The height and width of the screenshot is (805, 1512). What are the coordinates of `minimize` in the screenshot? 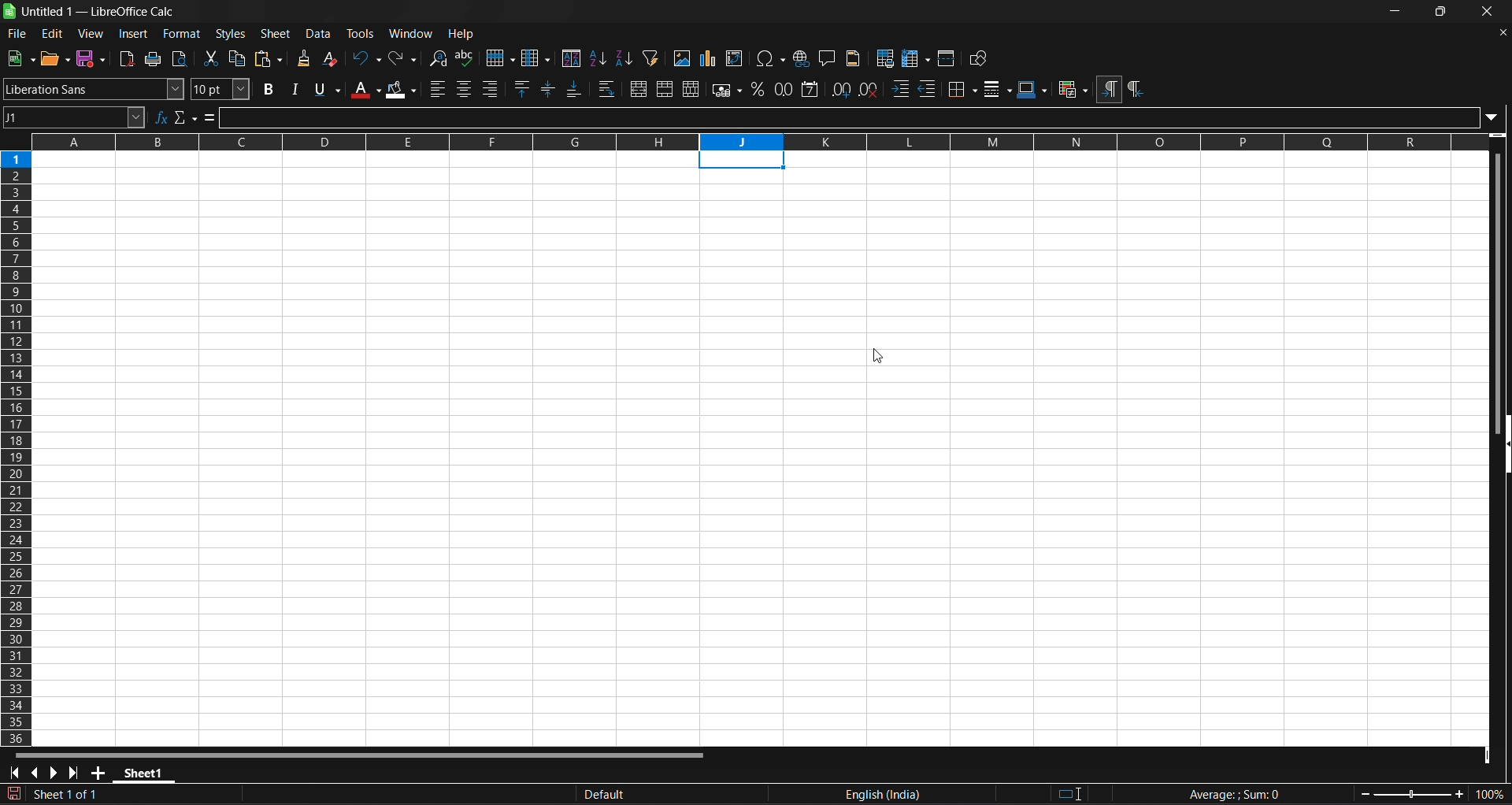 It's located at (1395, 13).